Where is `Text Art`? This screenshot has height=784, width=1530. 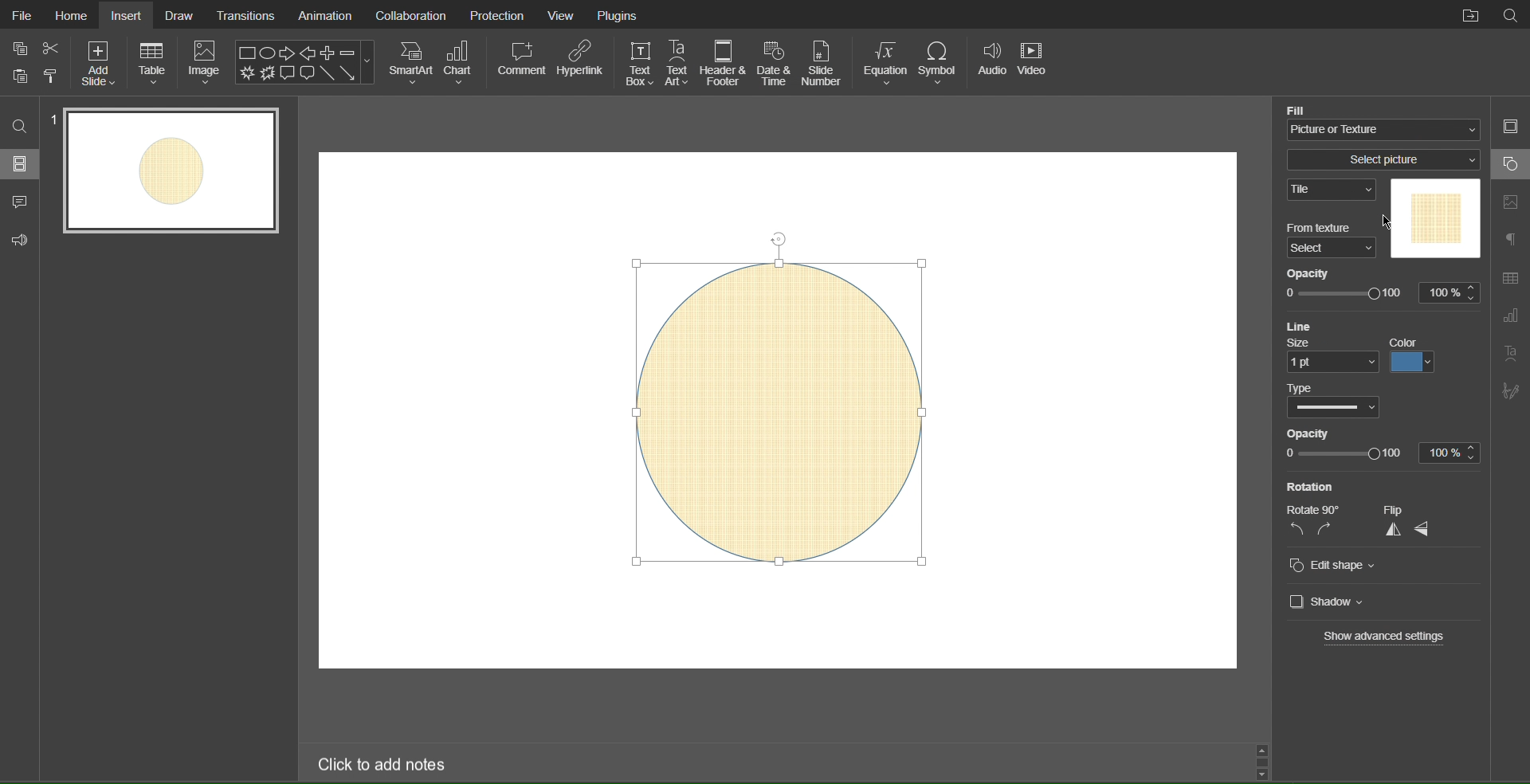 Text Art is located at coordinates (1512, 356).